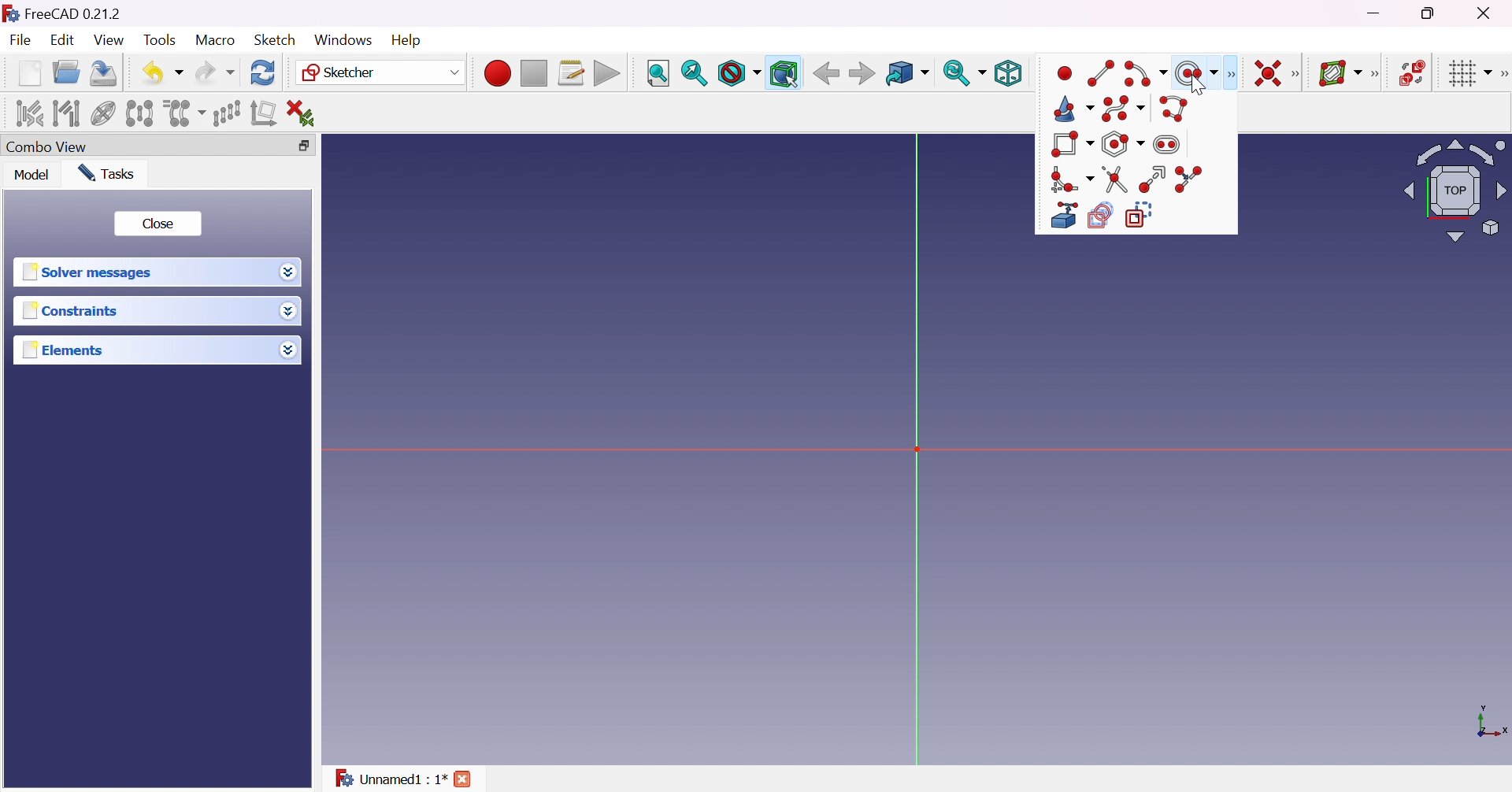 The height and width of the screenshot is (792, 1512). Describe the element at coordinates (288, 350) in the screenshot. I see `Drop down` at that location.